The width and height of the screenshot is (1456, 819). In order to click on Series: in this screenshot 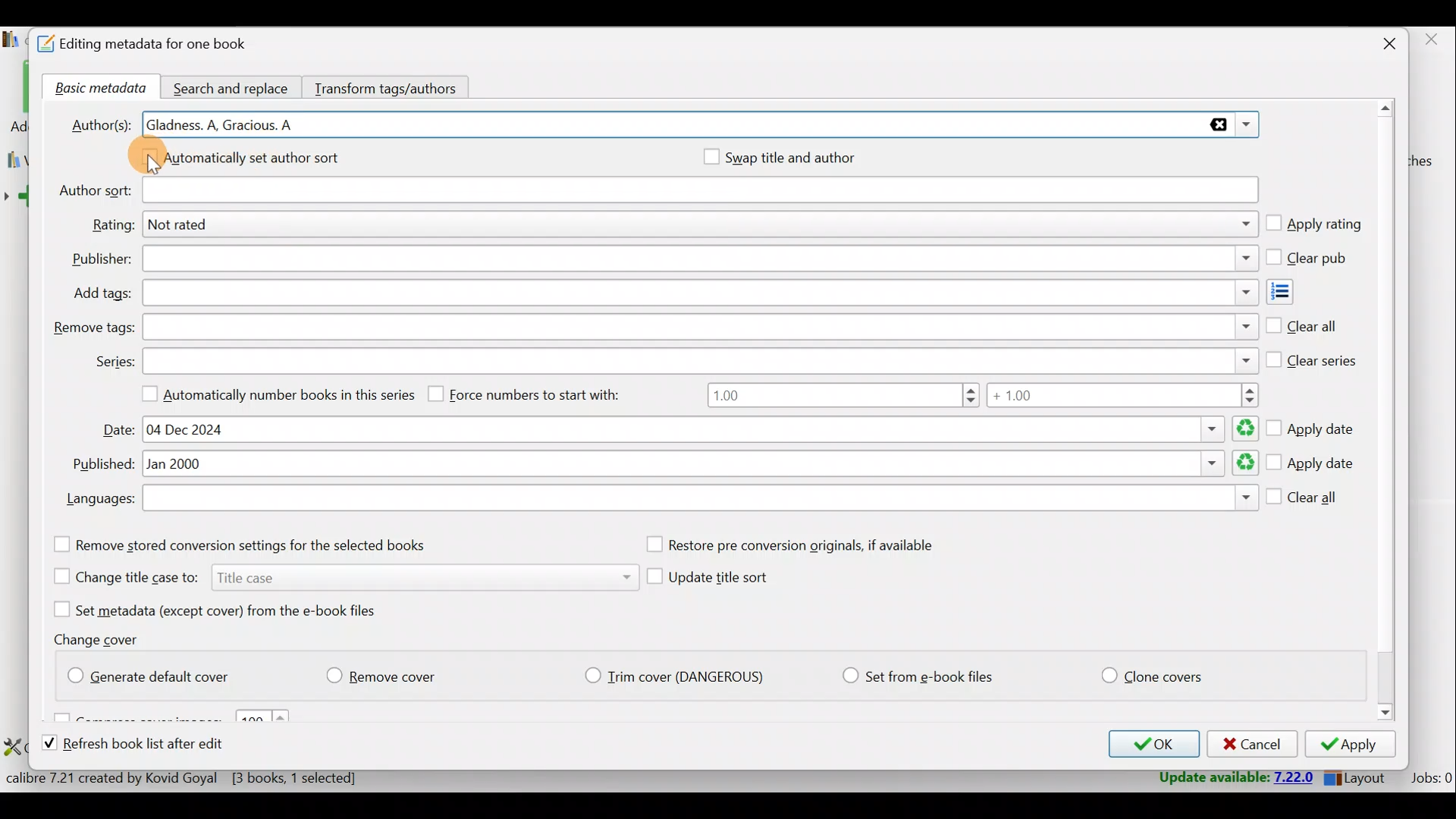, I will do `click(114, 362)`.